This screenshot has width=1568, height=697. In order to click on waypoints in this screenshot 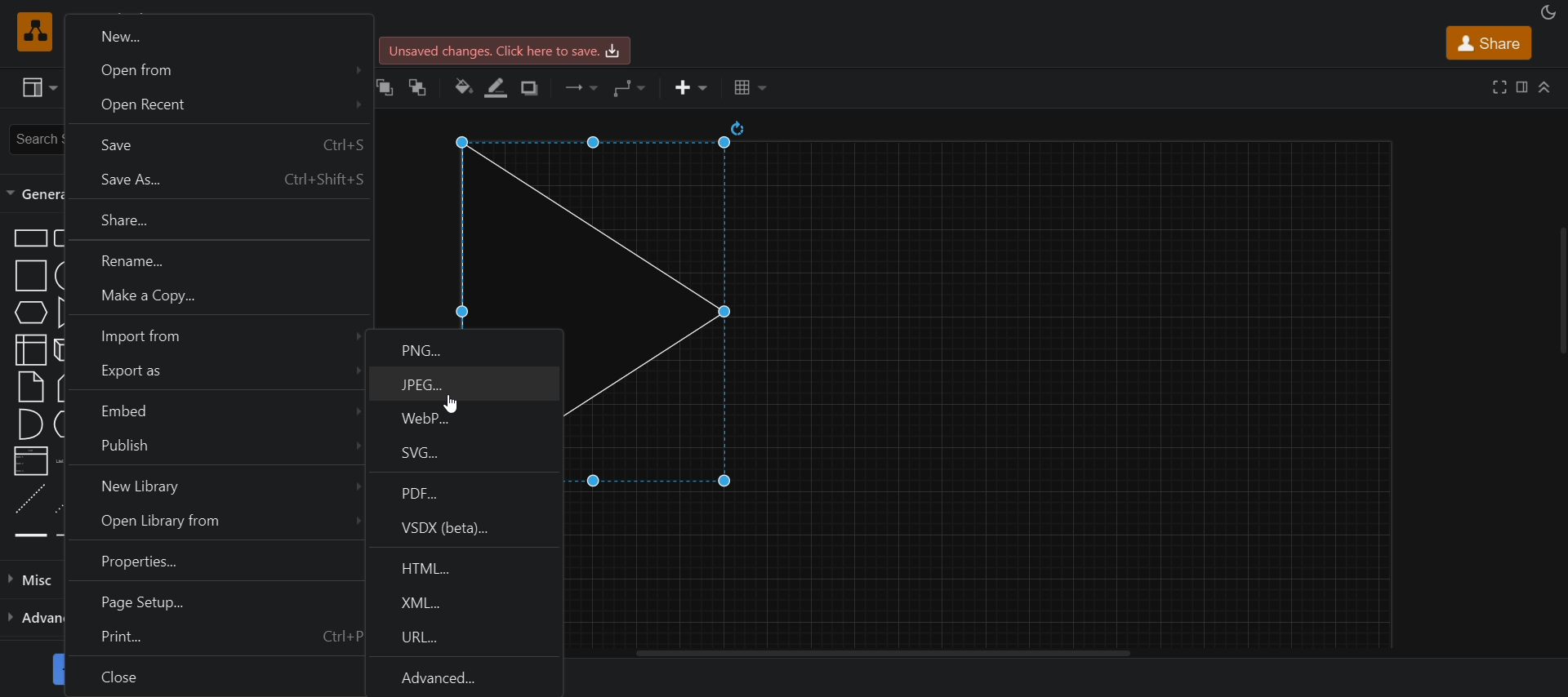, I will do `click(628, 87)`.